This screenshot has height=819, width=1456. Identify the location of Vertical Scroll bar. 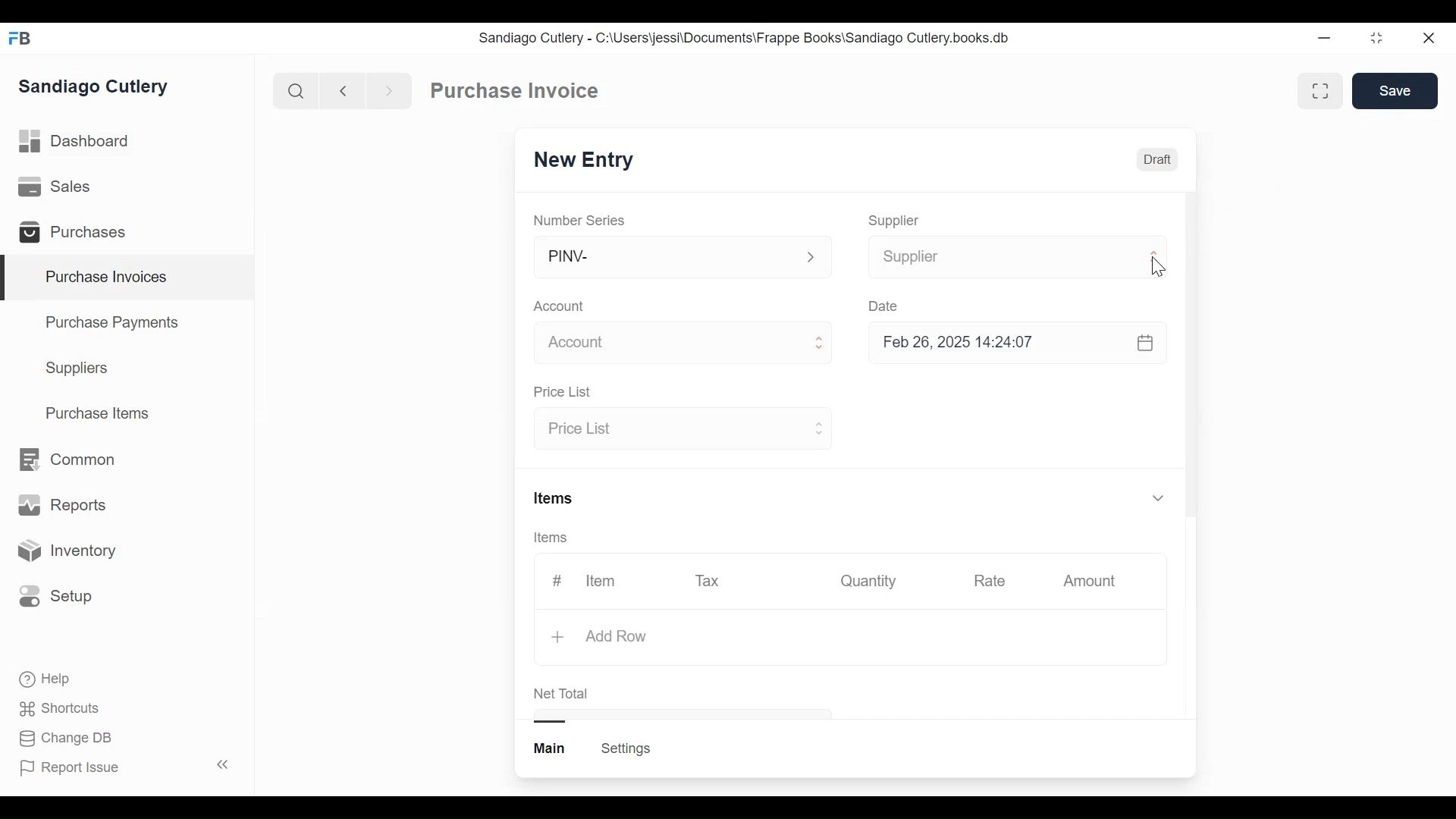
(1191, 358).